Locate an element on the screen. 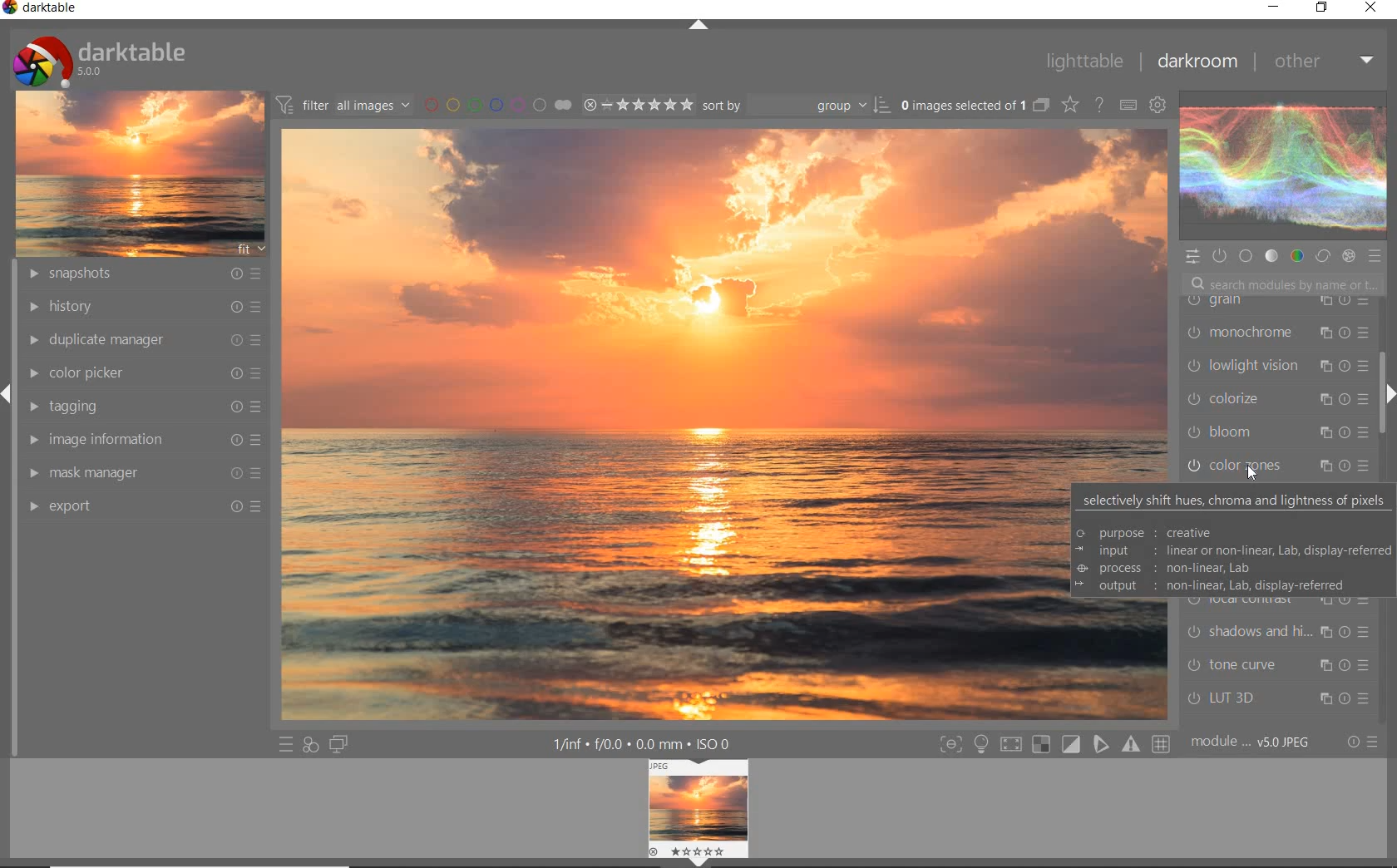  local contrast is located at coordinates (1282, 603).